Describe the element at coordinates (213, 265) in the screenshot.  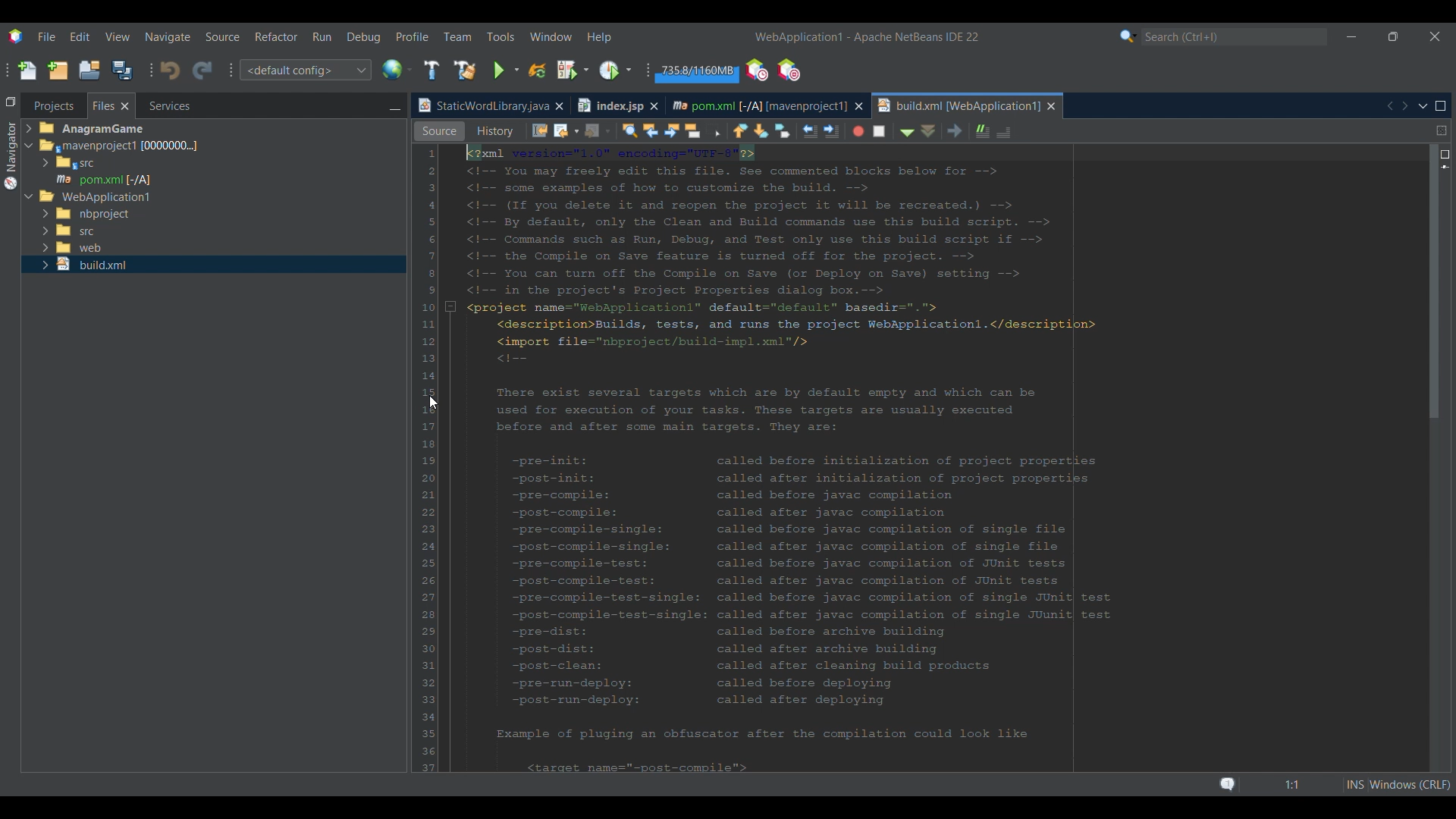
I see `Selected file highlighted` at that location.